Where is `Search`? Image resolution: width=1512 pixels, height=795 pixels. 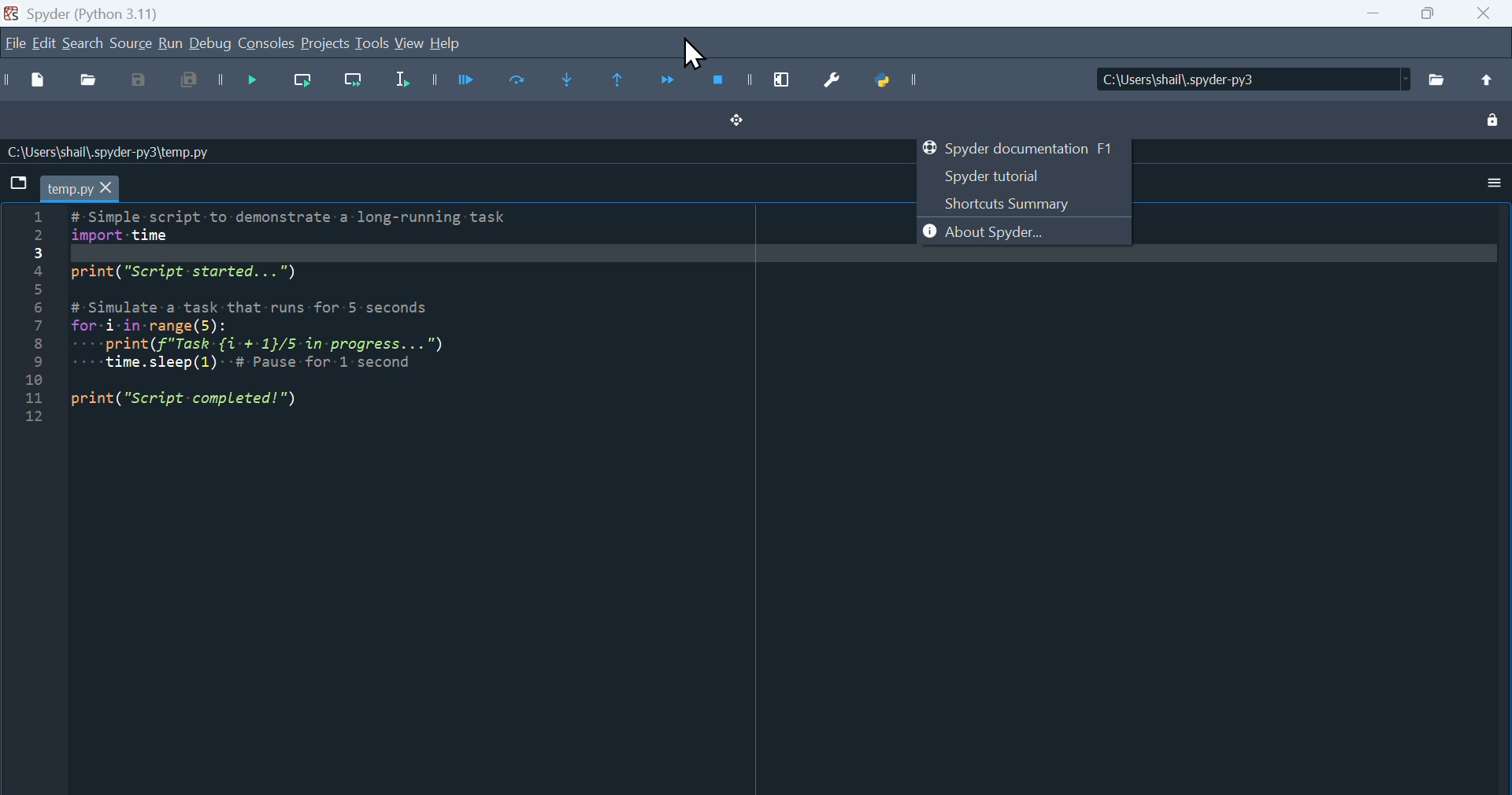
Search is located at coordinates (83, 45).